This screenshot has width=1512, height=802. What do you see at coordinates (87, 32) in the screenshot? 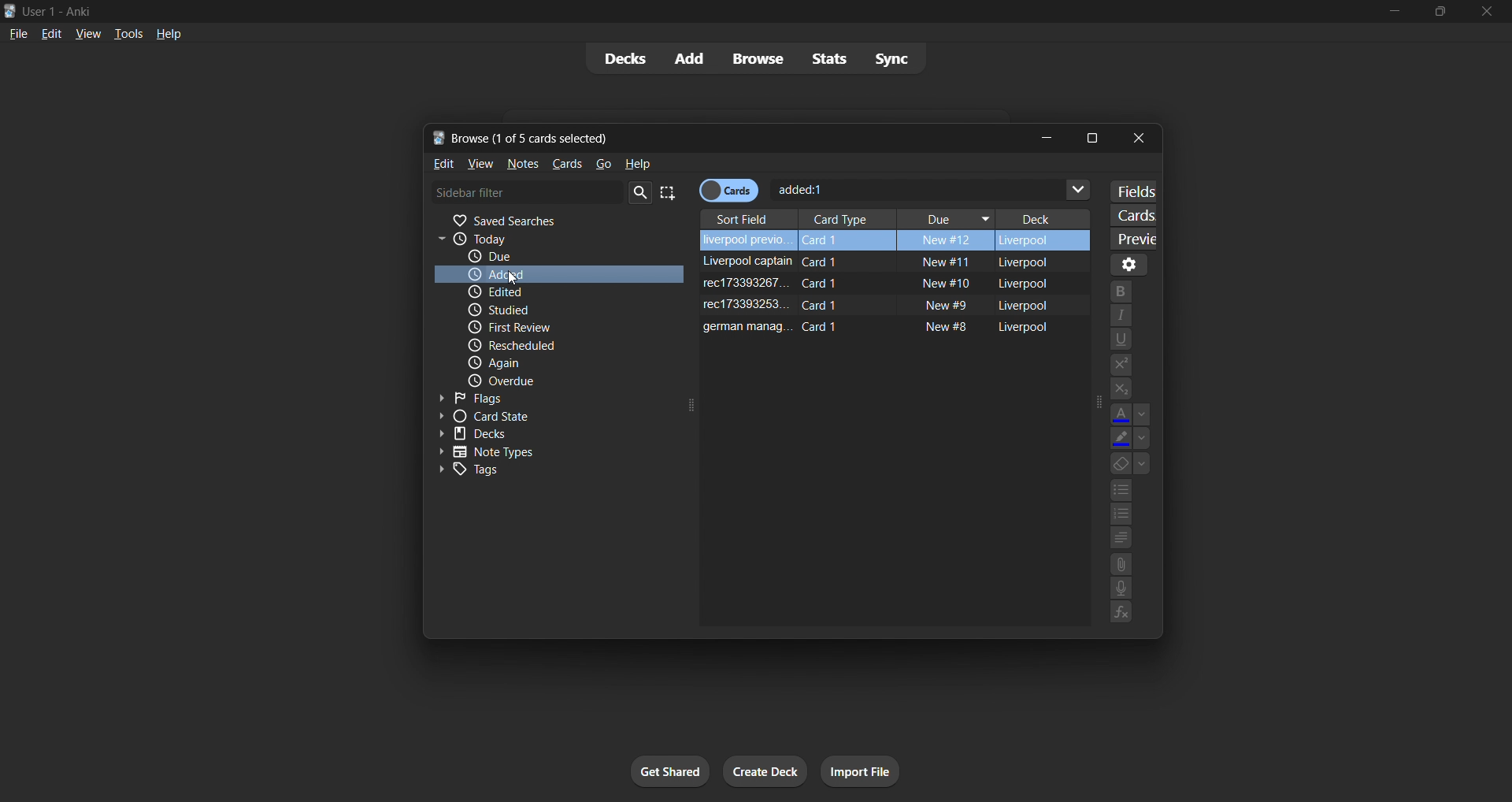
I see `view` at bounding box center [87, 32].